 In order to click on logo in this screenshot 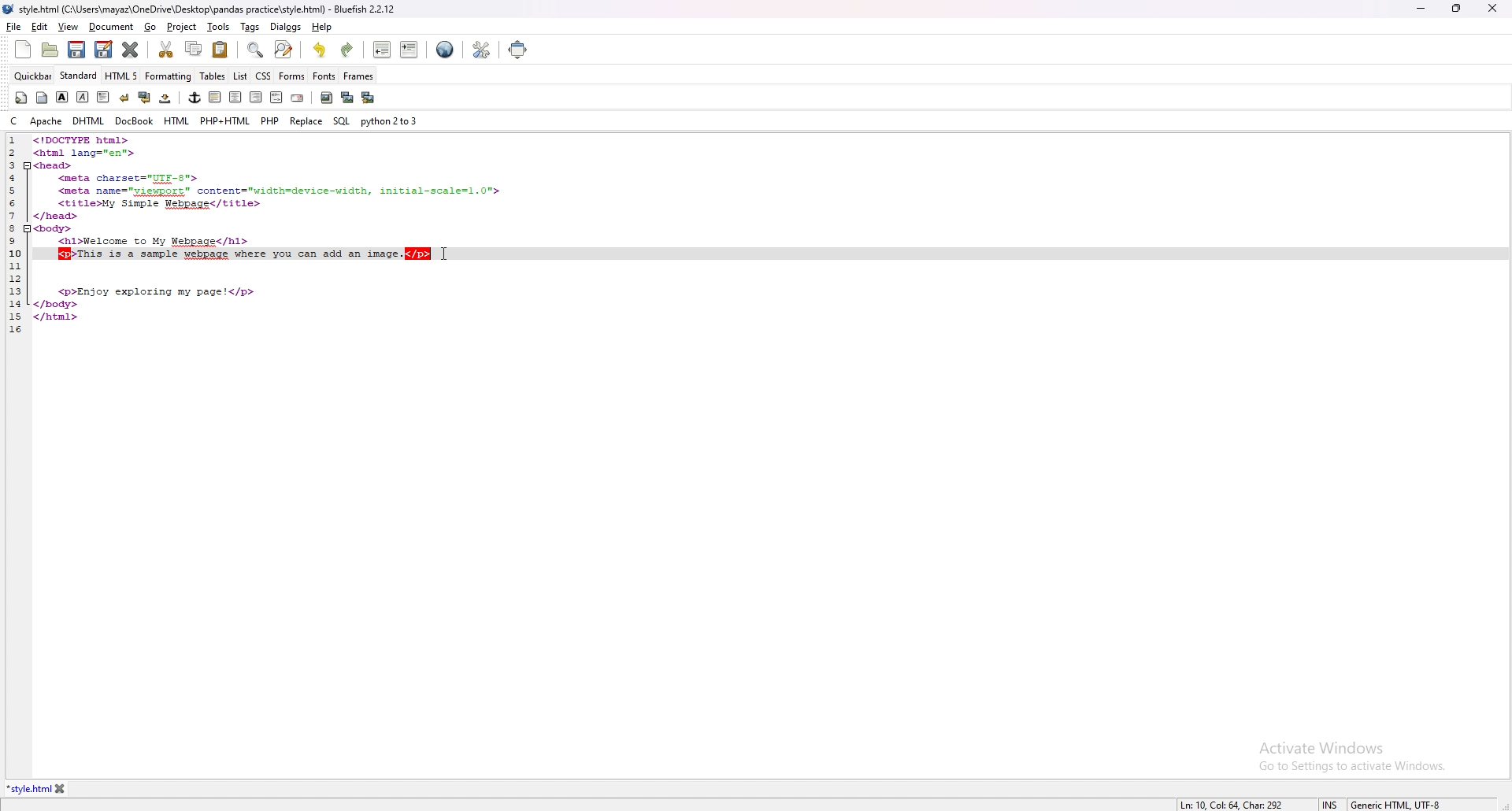, I will do `click(11, 9)`.